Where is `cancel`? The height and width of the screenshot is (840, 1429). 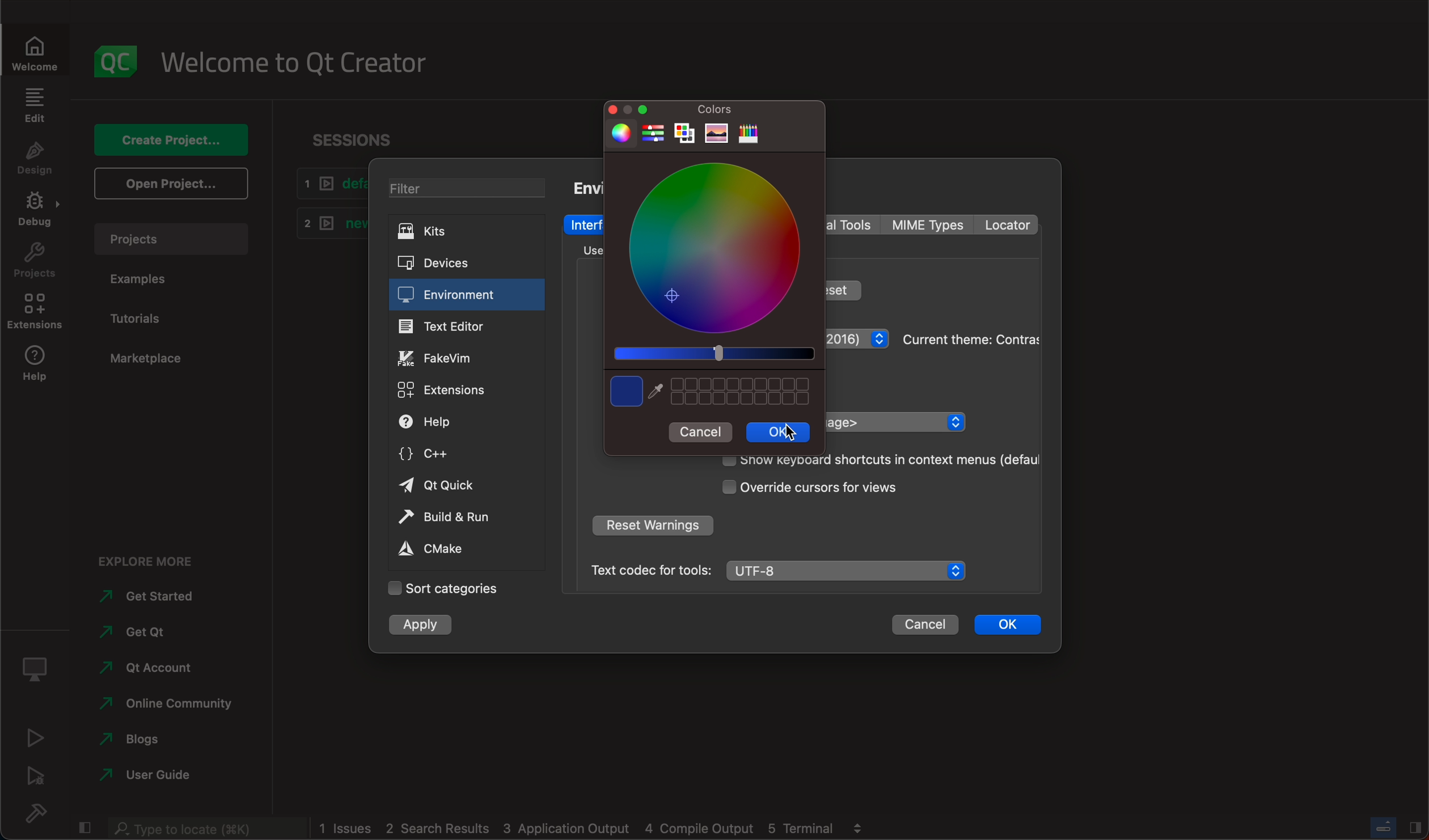 cancel is located at coordinates (925, 625).